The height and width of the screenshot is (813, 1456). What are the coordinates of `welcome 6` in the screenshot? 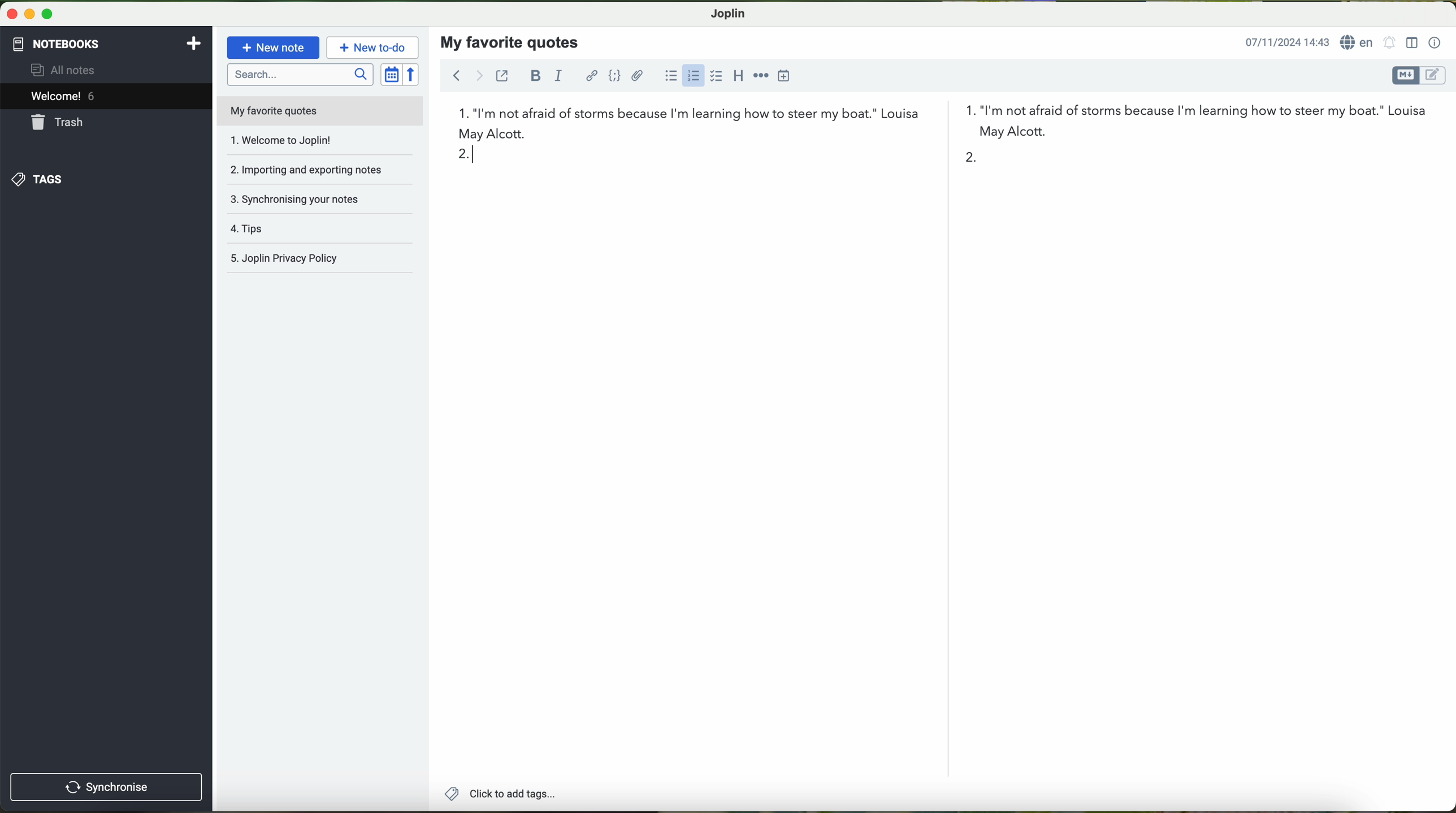 It's located at (110, 96).